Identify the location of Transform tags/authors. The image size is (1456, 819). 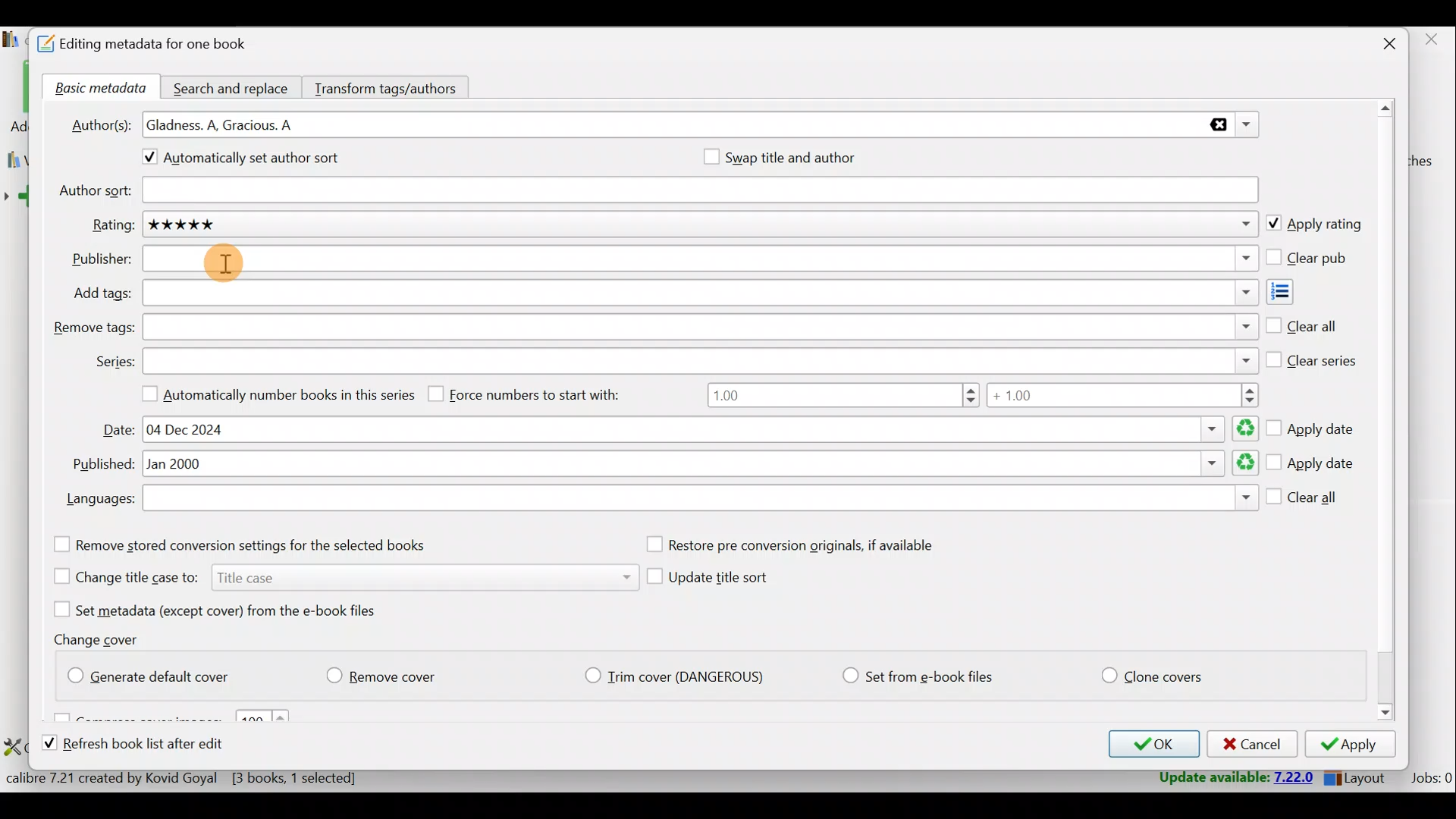
(392, 86).